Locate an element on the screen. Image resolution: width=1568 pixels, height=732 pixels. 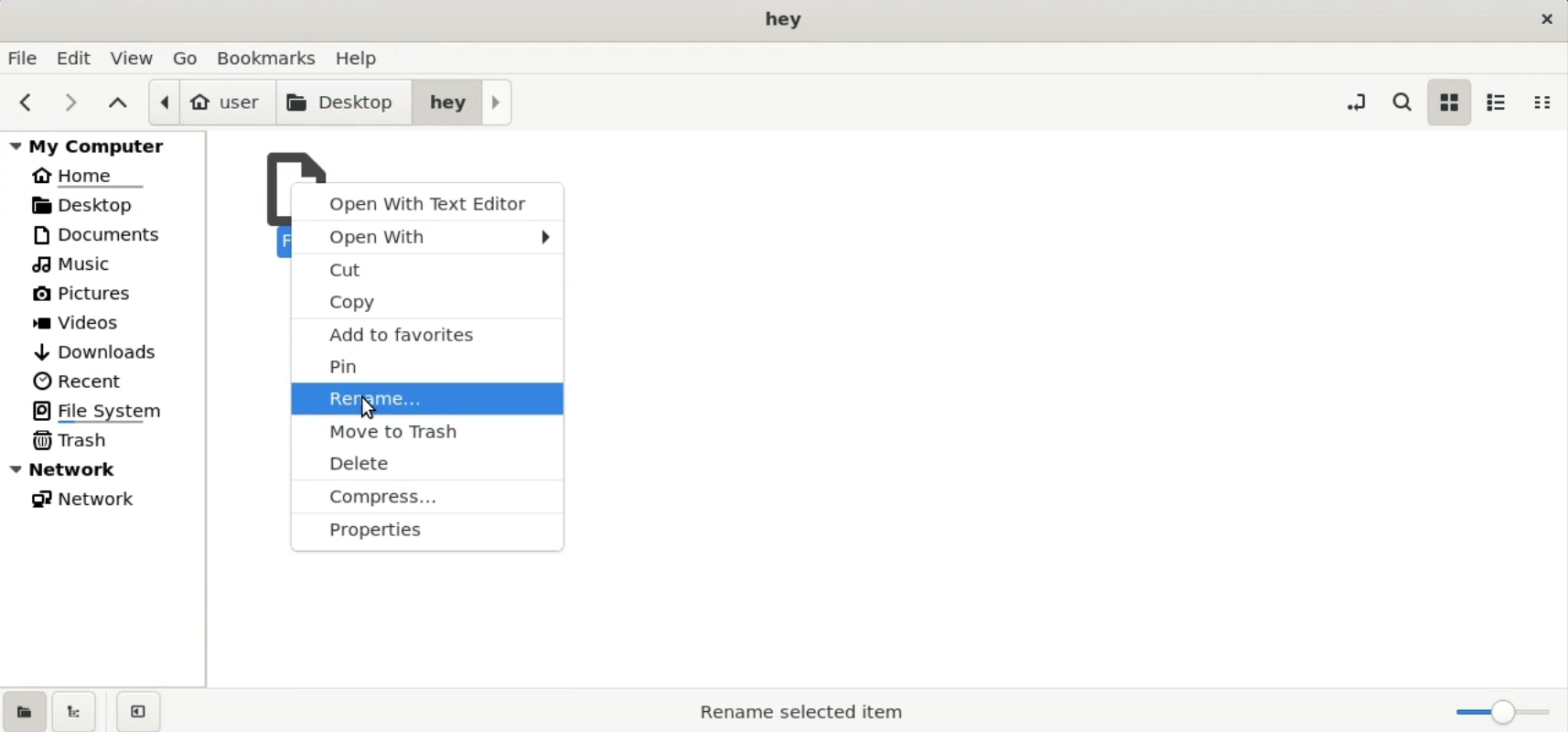
previous is located at coordinates (23, 102).